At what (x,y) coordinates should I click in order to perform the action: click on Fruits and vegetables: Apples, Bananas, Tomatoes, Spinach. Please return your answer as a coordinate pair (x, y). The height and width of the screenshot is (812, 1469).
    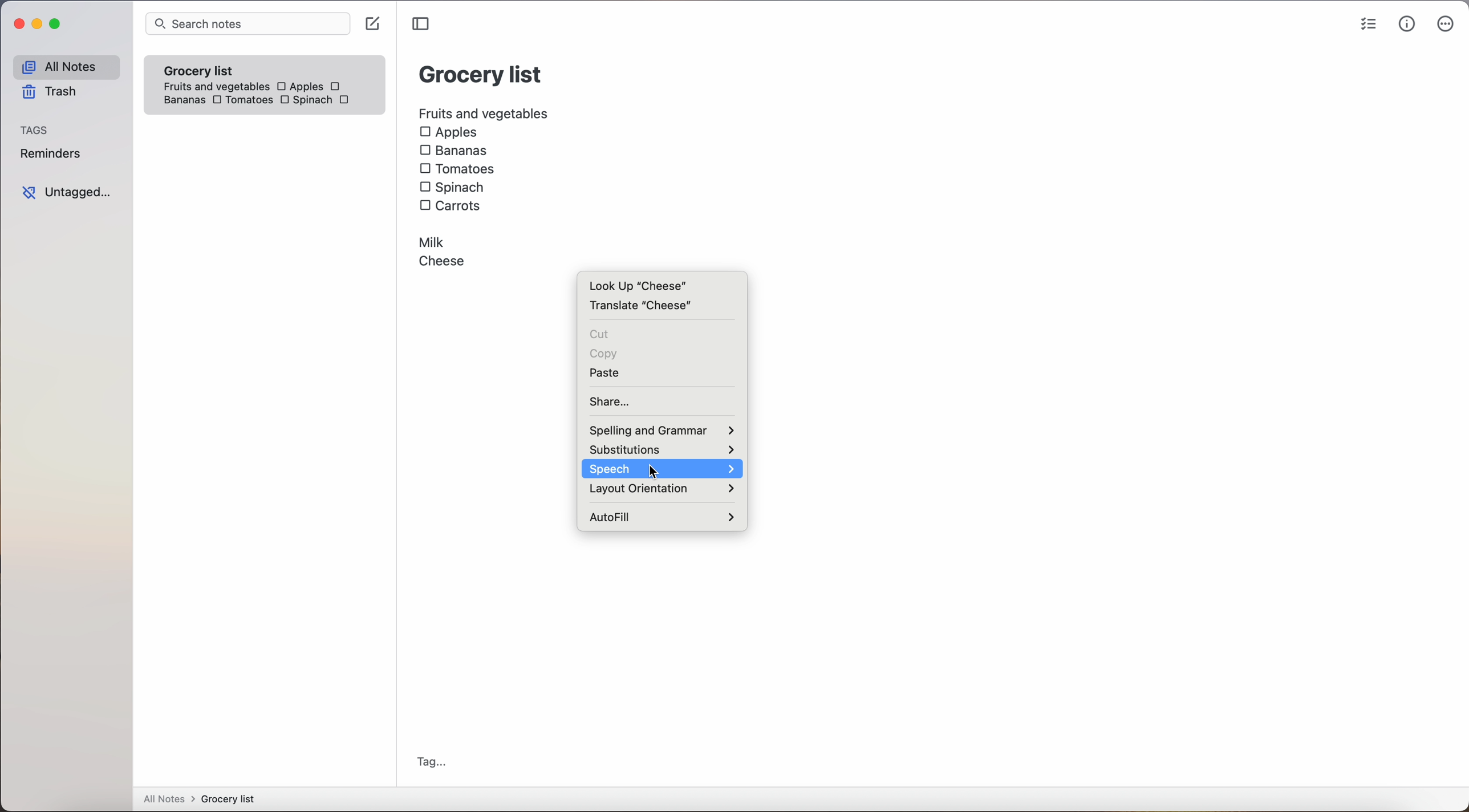
    Looking at the image, I should click on (268, 90).